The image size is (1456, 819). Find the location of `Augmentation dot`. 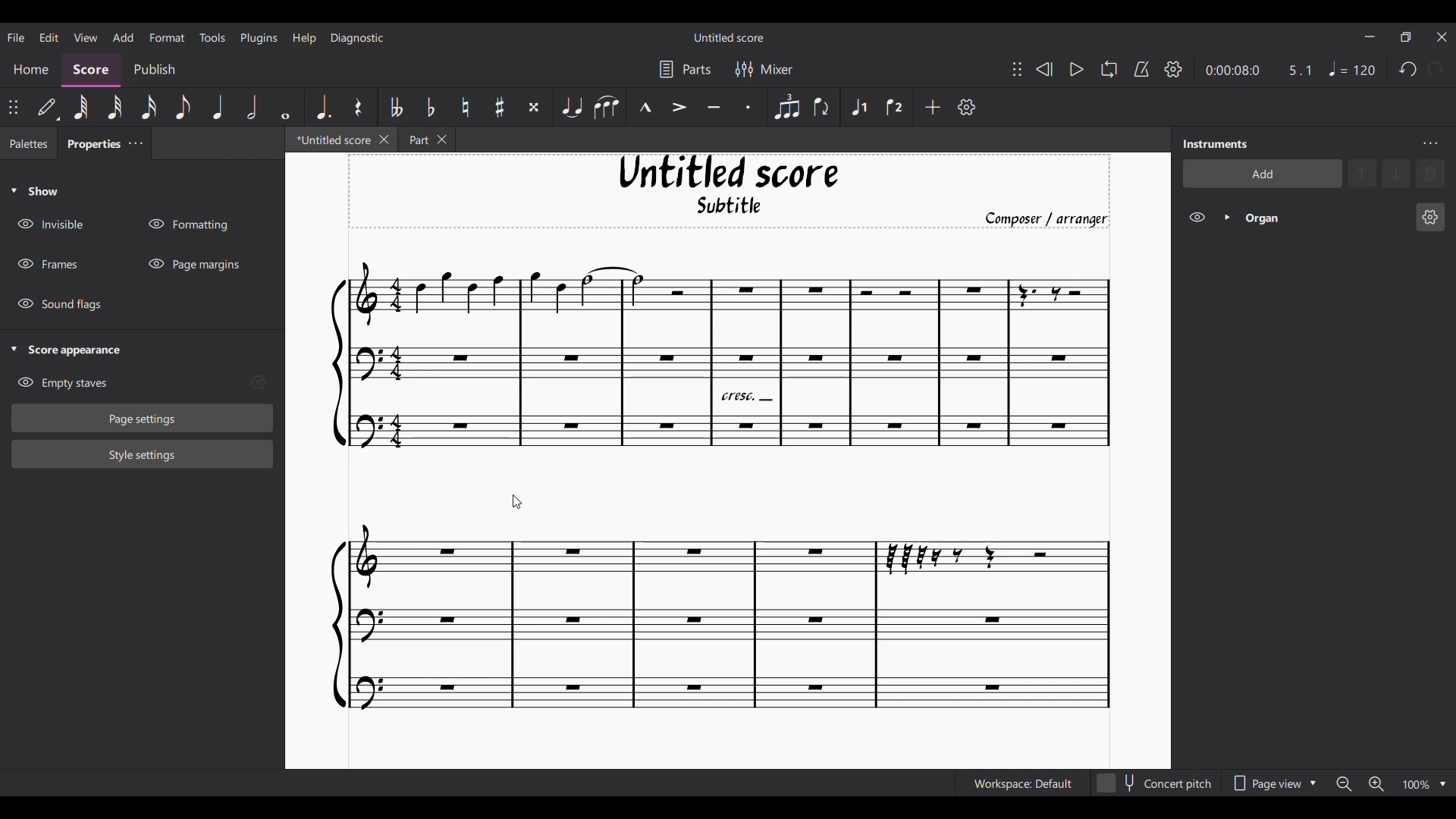

Augmentation dot is located at coordinates (322, 106).